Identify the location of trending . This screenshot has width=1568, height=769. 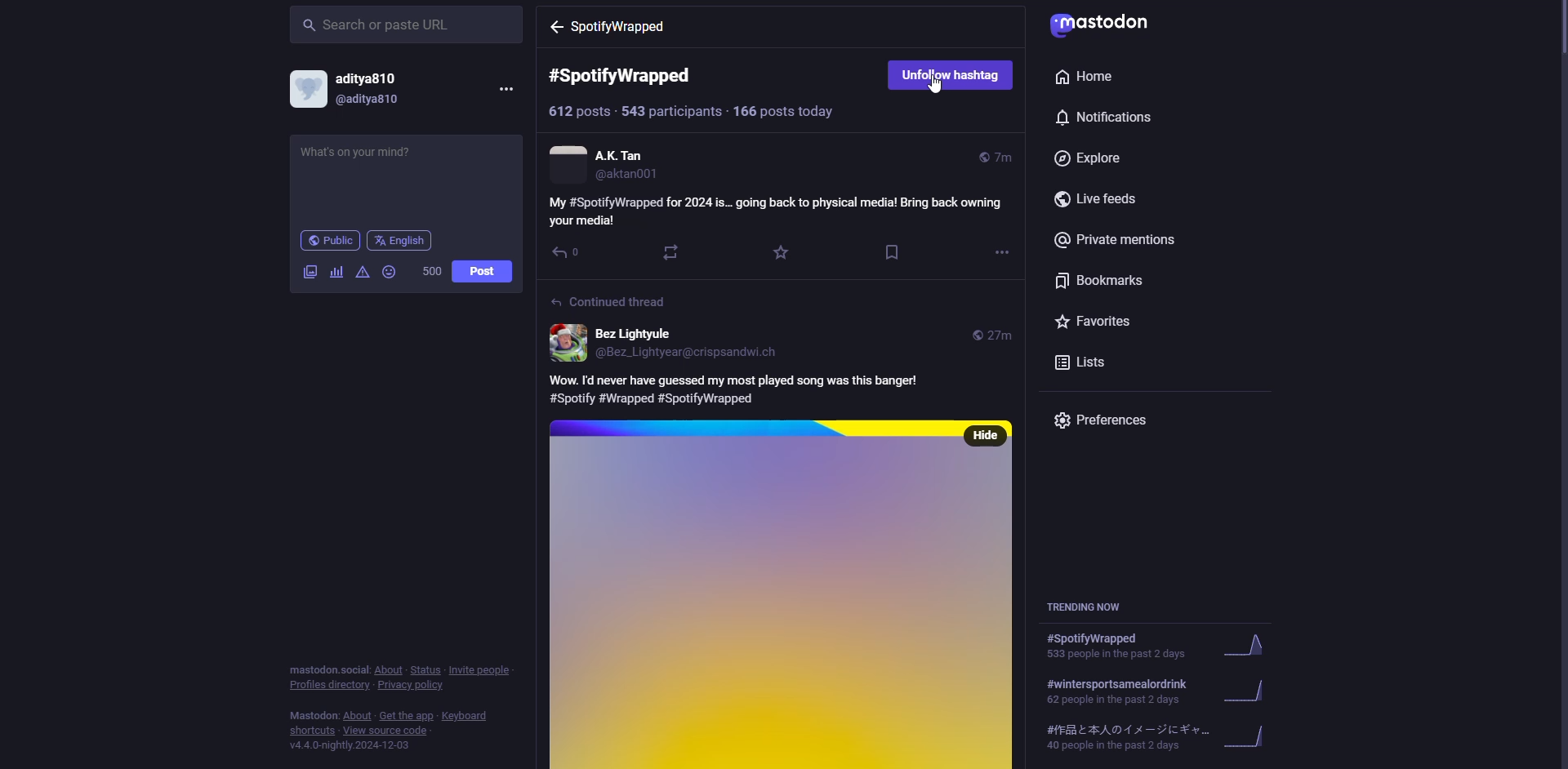
(1152, 691).